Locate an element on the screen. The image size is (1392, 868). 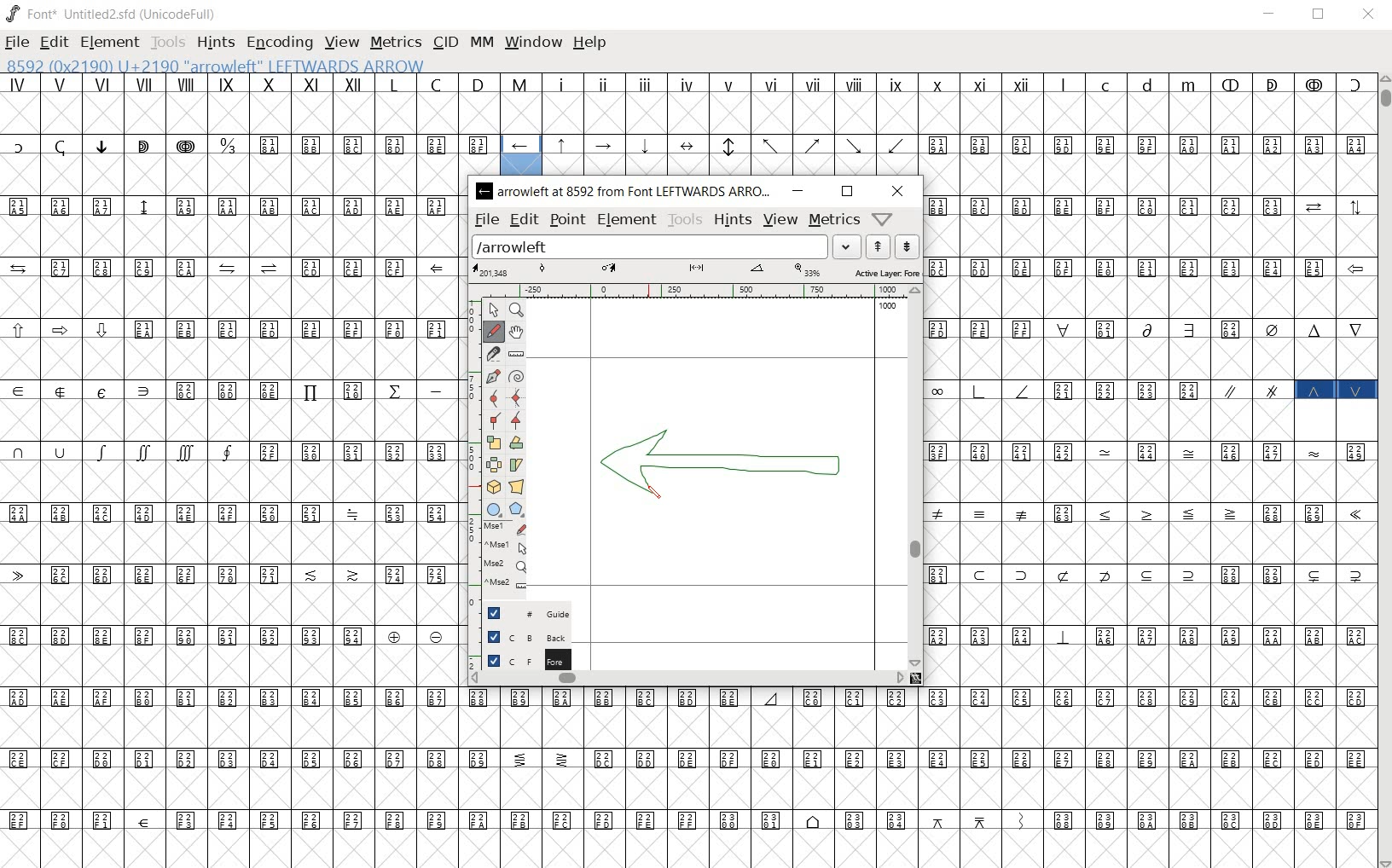
edit is located at coordinates (53, 43).